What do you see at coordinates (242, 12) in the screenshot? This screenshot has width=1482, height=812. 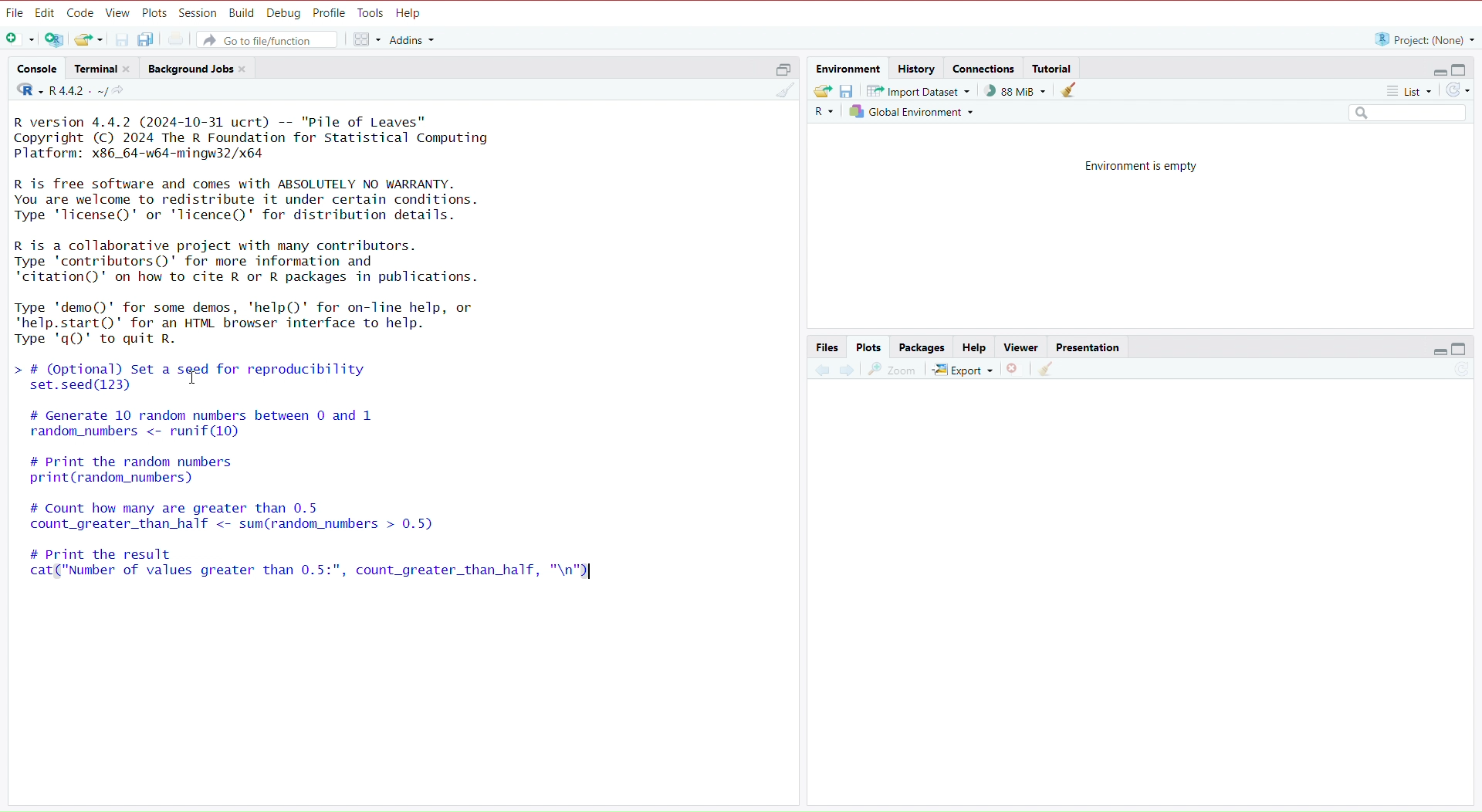 I see `Build` at bounding box center [242, 12].